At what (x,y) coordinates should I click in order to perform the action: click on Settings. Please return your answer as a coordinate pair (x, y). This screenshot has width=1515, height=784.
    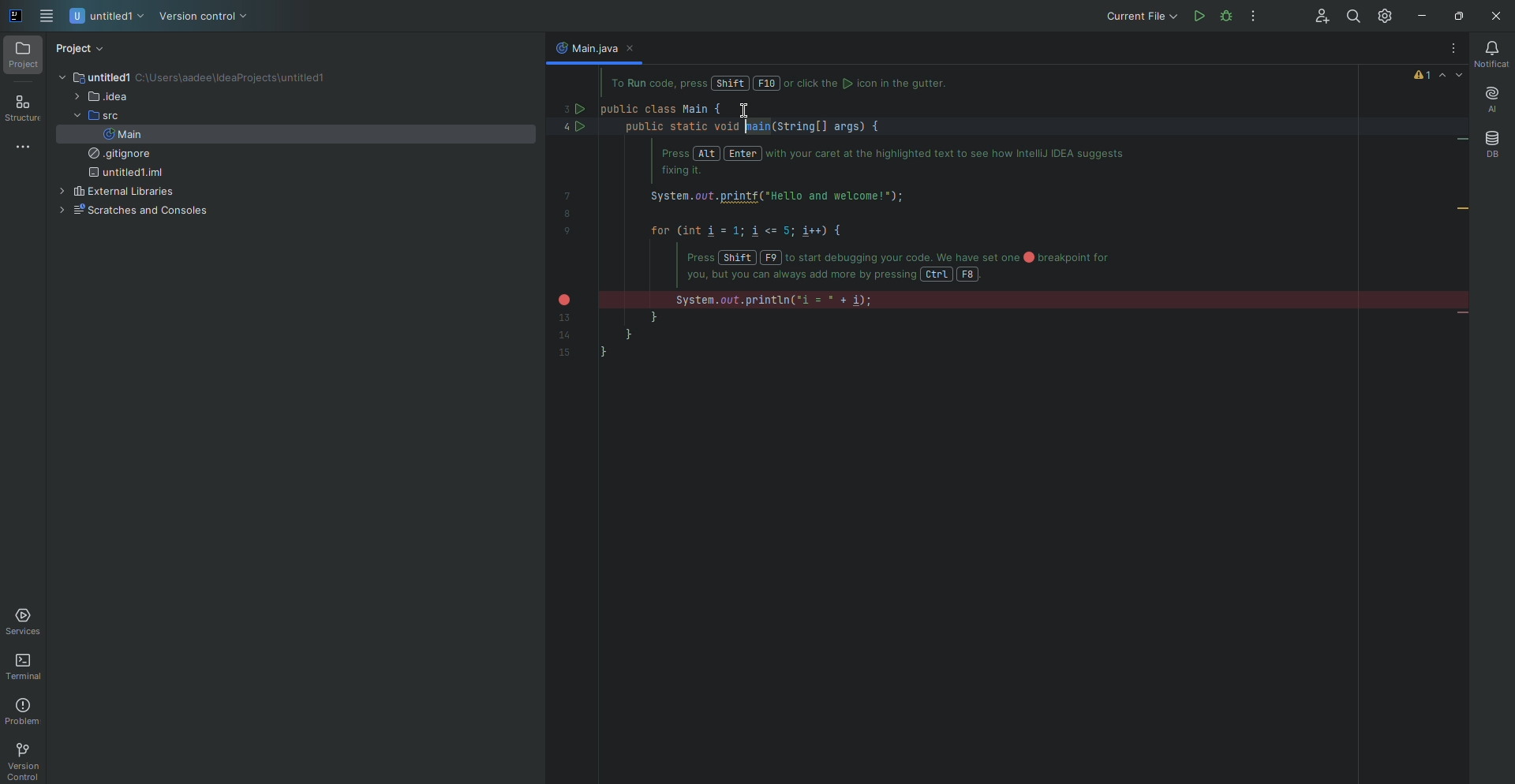
    Looking at the image, I should click on (1387, 15).